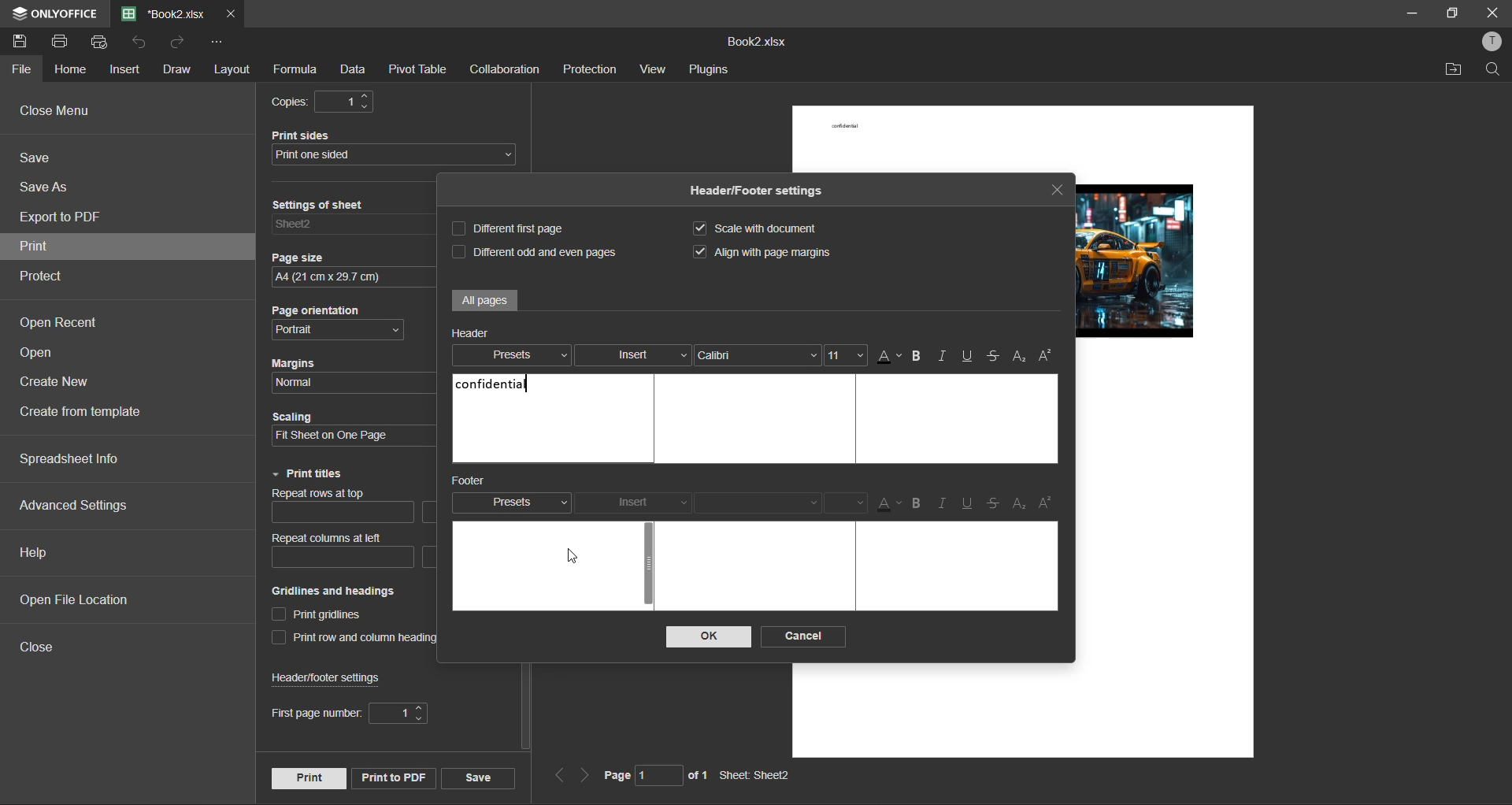 The height and width of the screenshot is (805, 1512). Describe the element at coordinates (1492, 12) in the screenshot. I see `close` at that location.